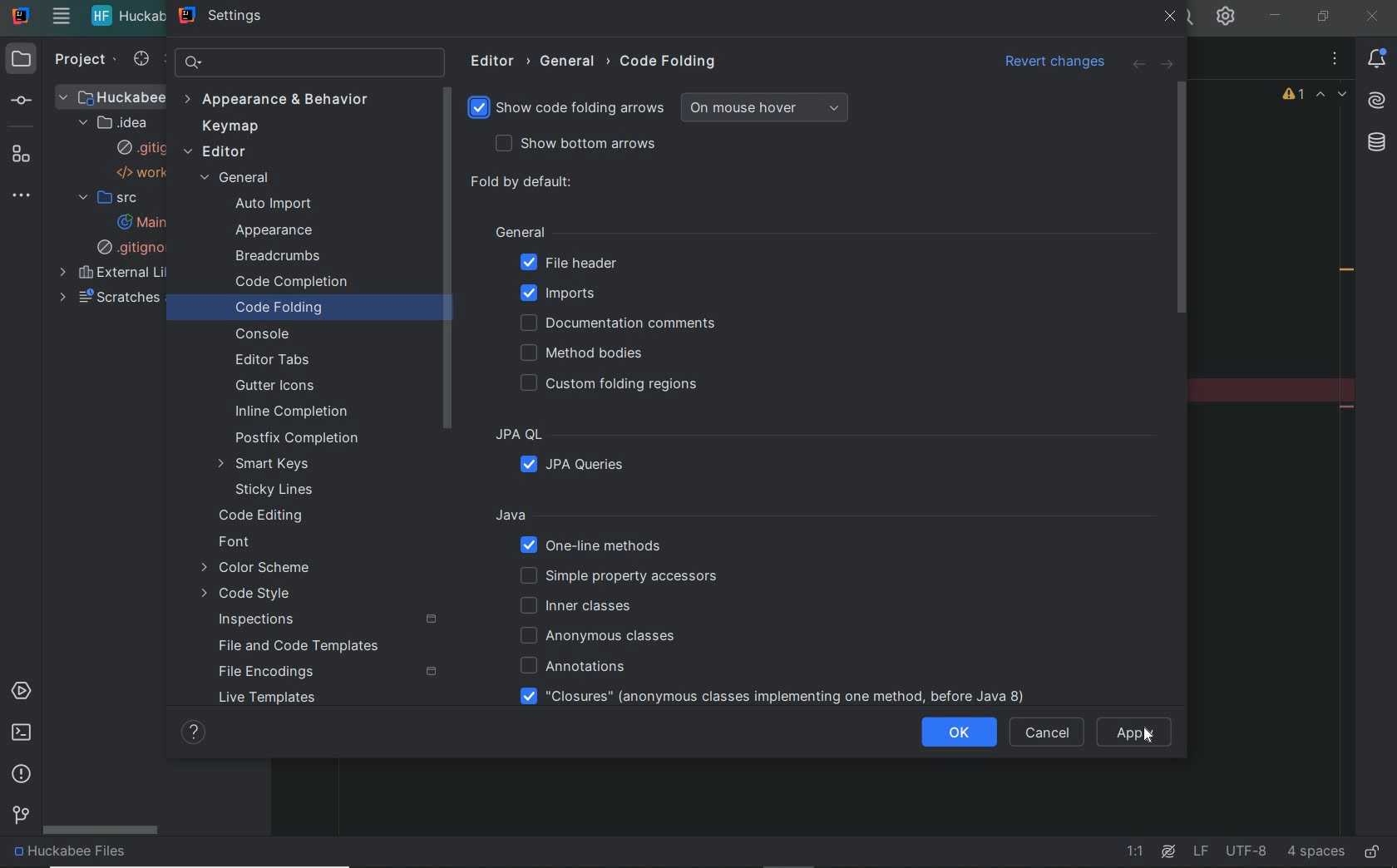  I want to click on code folding, so click(671, 62).